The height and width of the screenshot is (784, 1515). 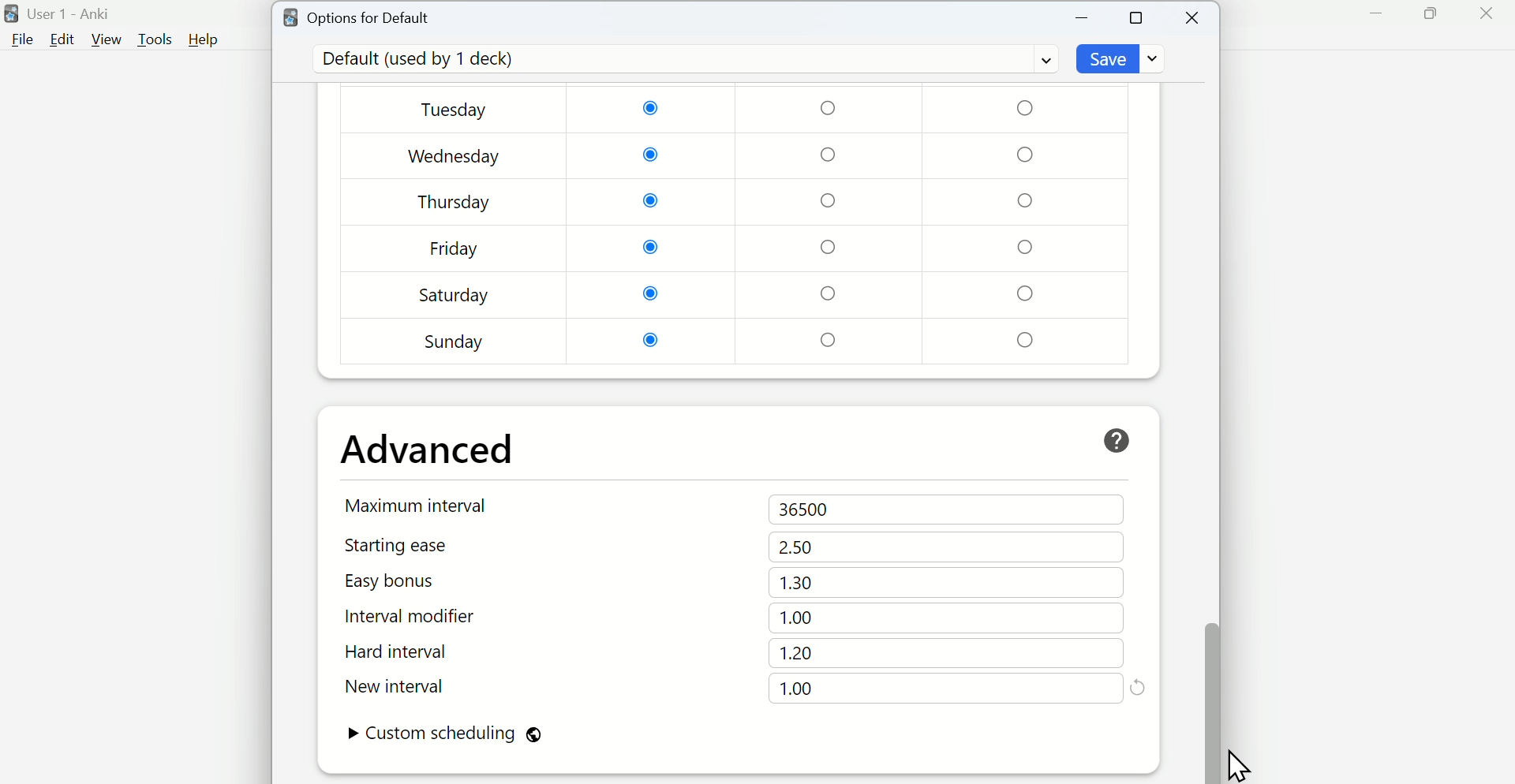 I want to click on Starting ease, so click(x=417, y=545).